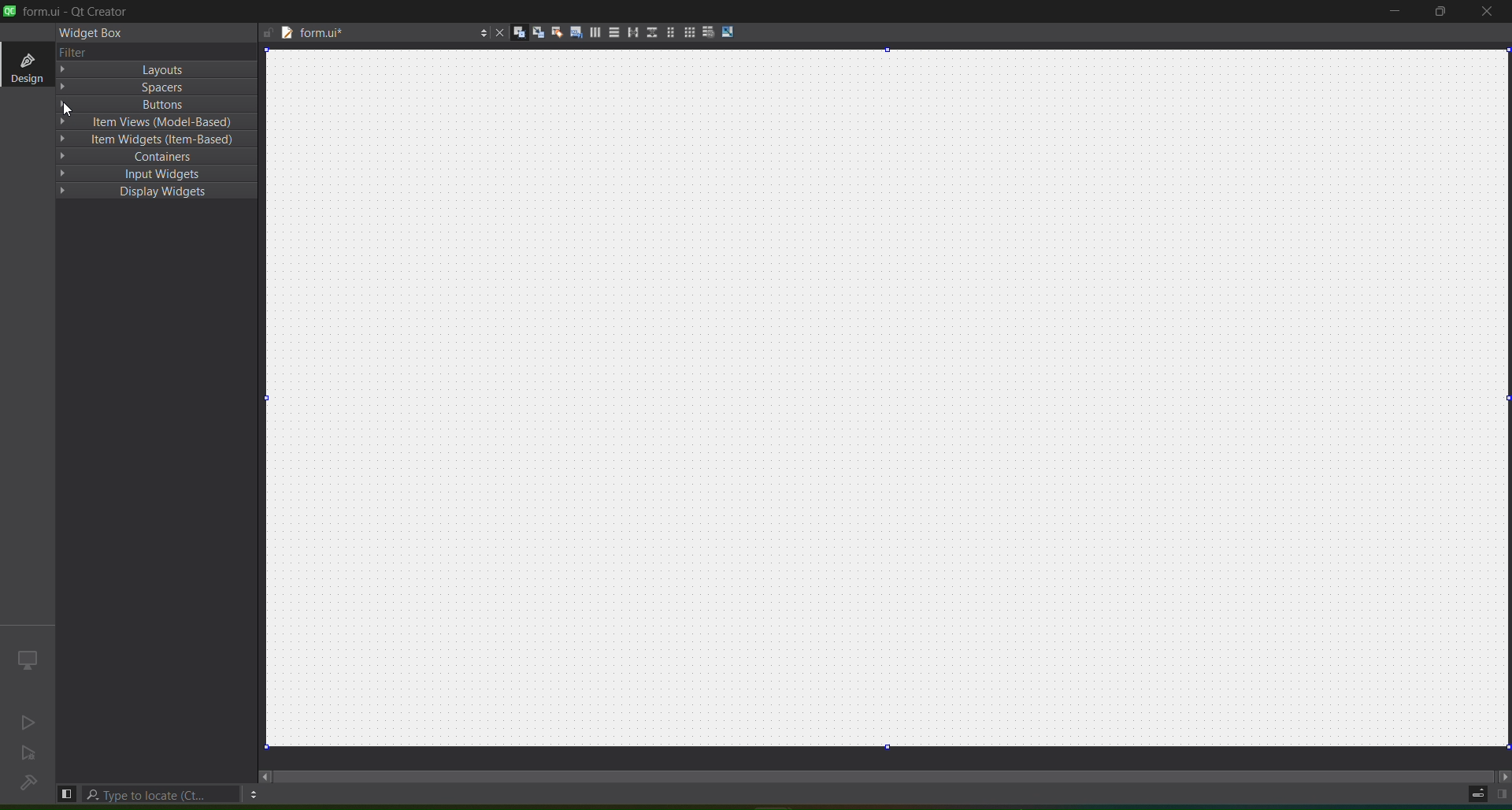  I want to click on edit signal slots, so click(534, 30).